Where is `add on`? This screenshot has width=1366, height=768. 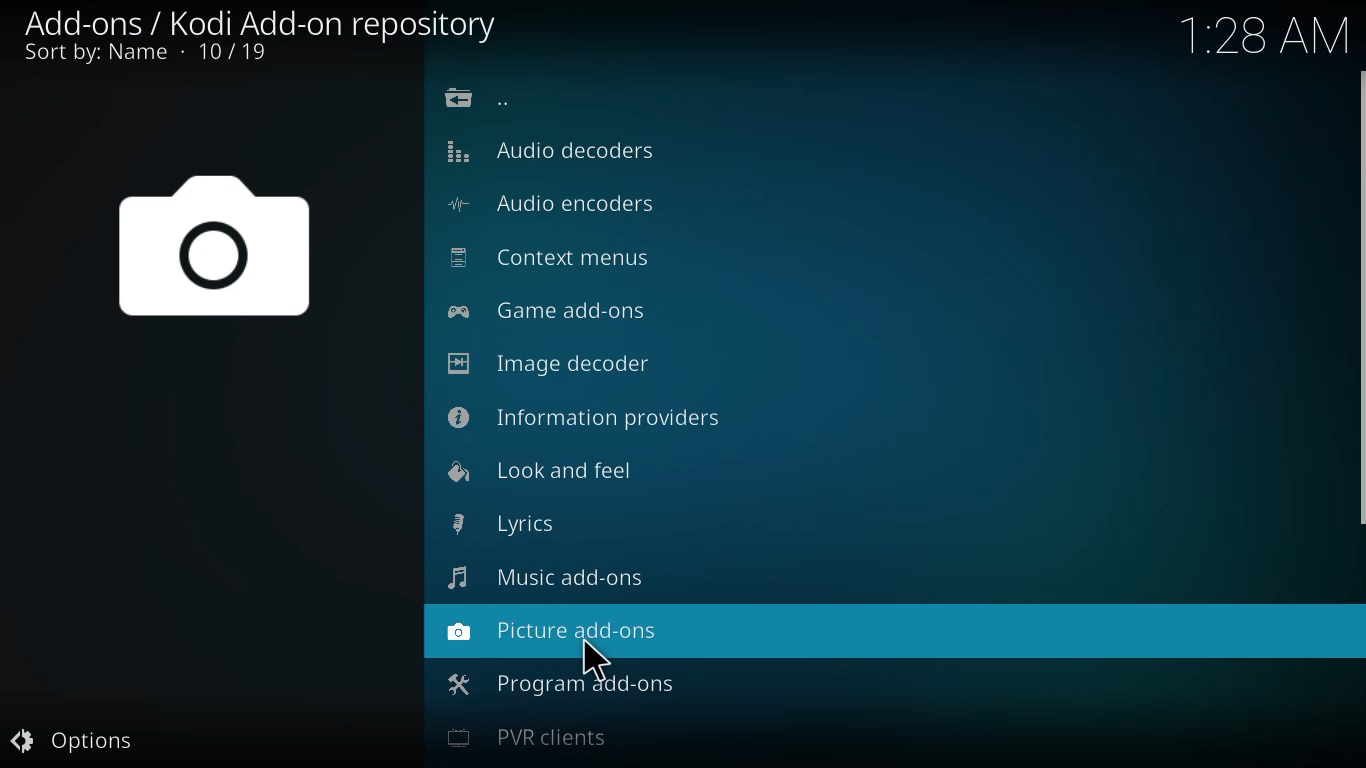
add on is located at coordinates (224, 257).